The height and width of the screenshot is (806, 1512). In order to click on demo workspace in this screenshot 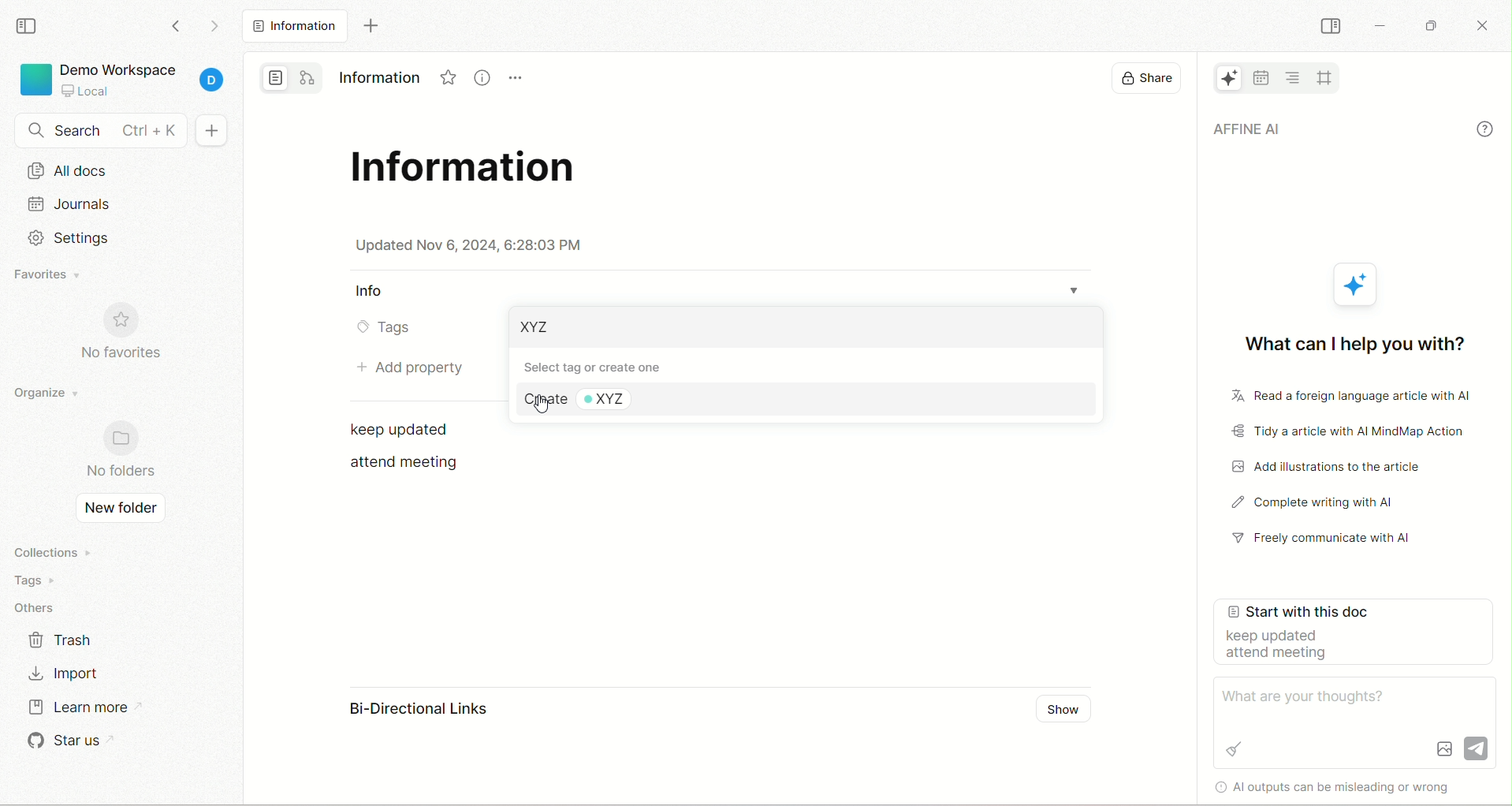, I will do `click(117, 67)`.